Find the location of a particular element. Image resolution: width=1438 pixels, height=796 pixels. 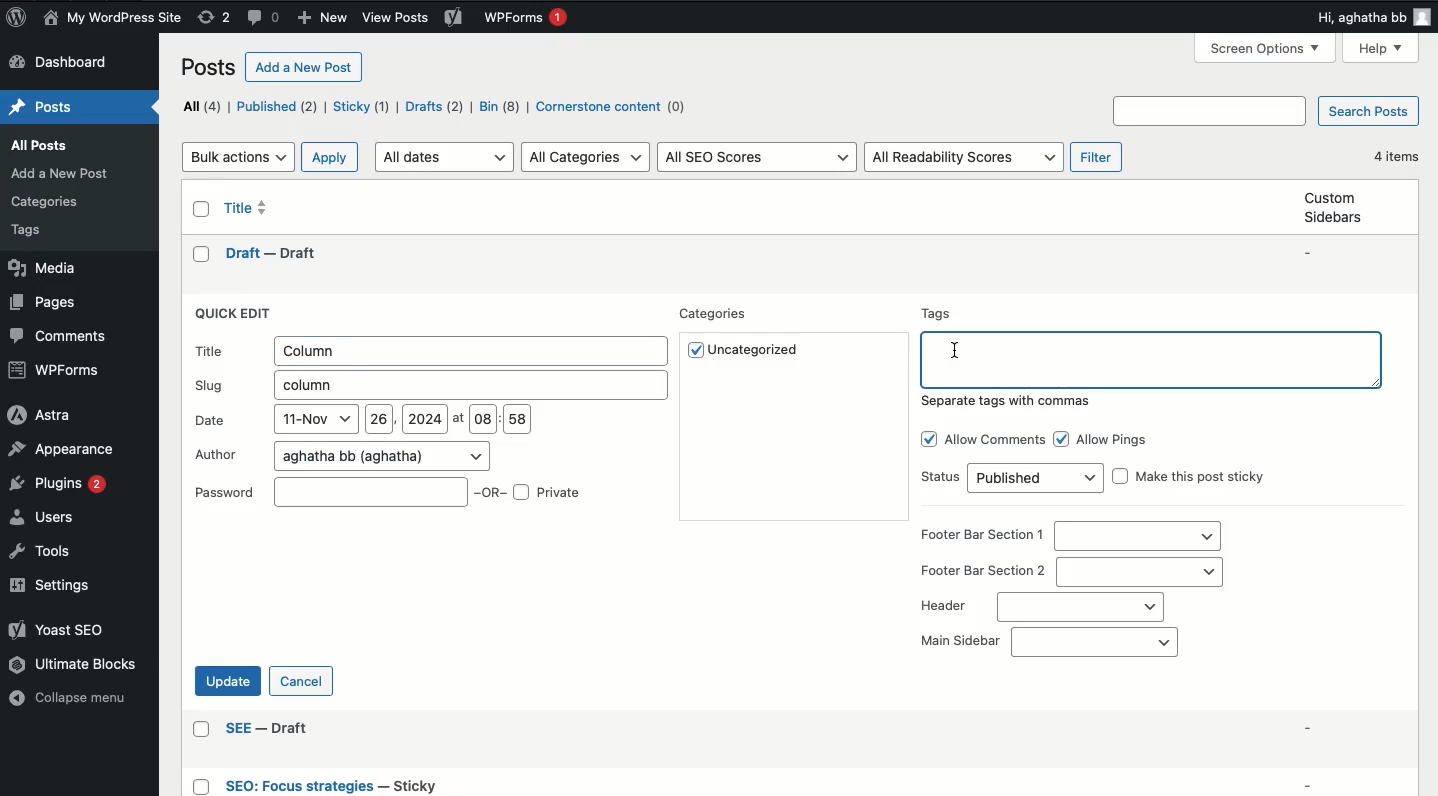

Appearance is located at coordinates (71, 450).